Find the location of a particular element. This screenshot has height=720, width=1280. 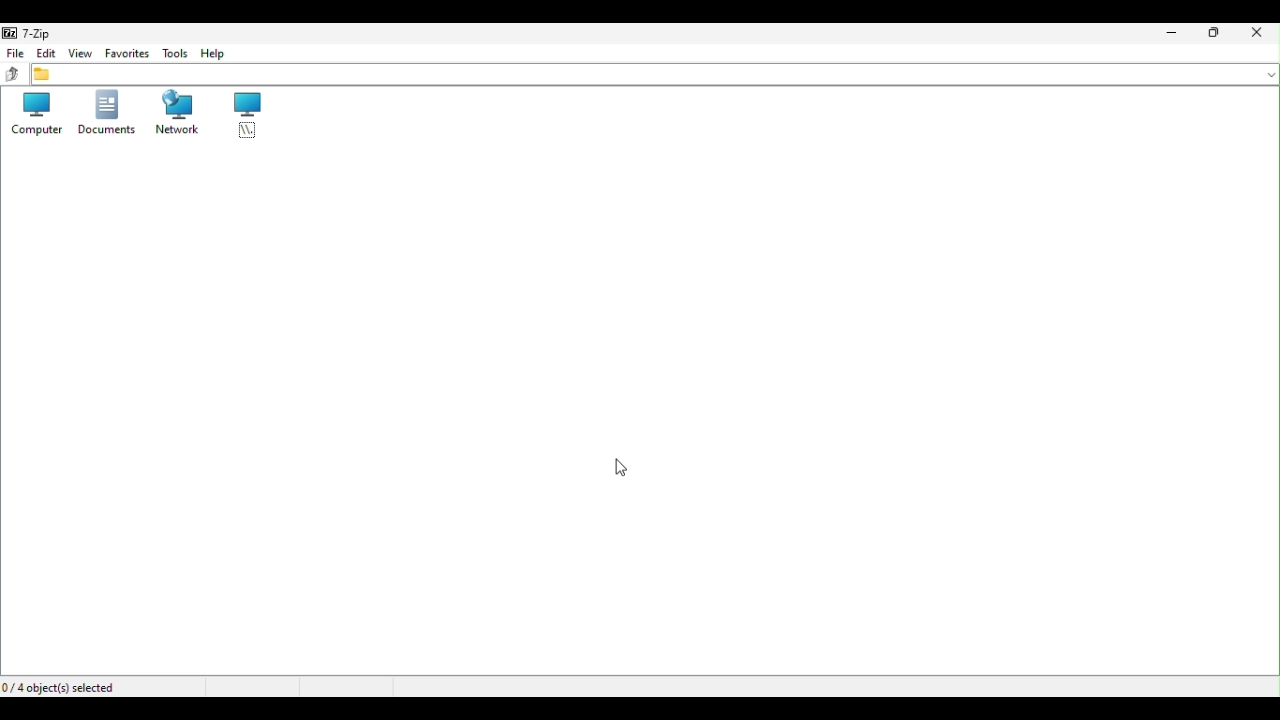

close is located at coordinates (1260, 35).